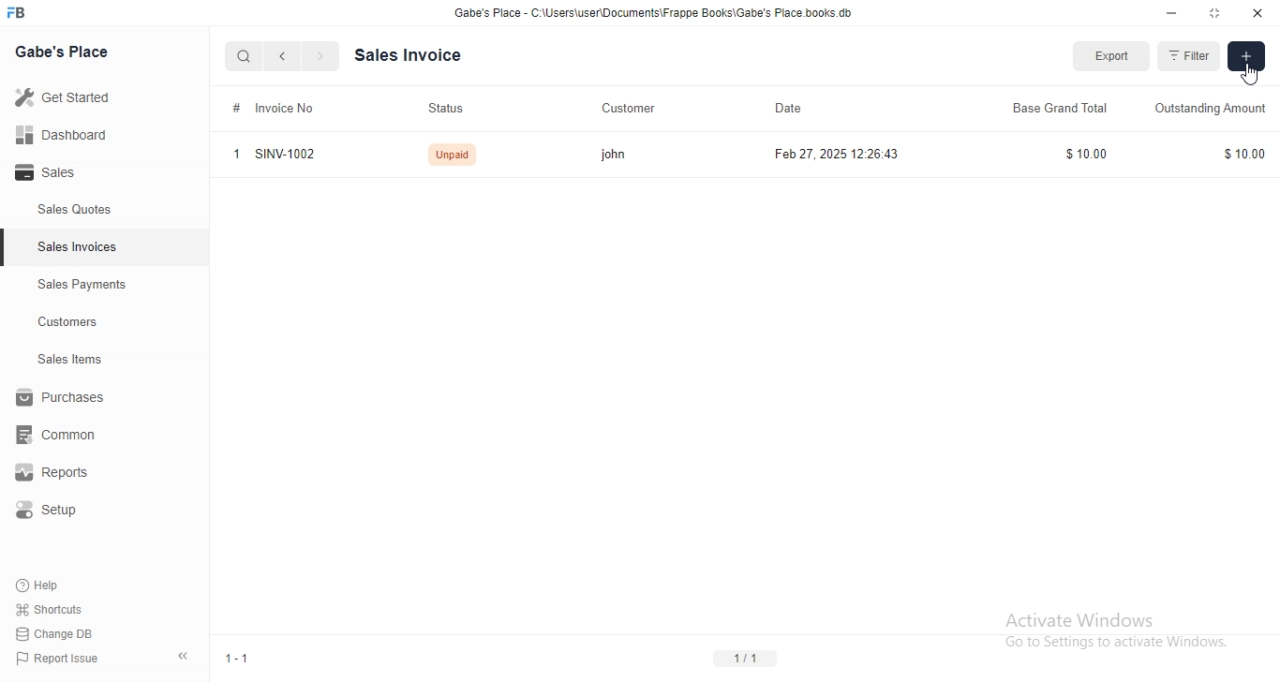  What do you see at coordinates (1185, 55) in the screenshot?
I see `Filter` at bounding box center [1185, 55].